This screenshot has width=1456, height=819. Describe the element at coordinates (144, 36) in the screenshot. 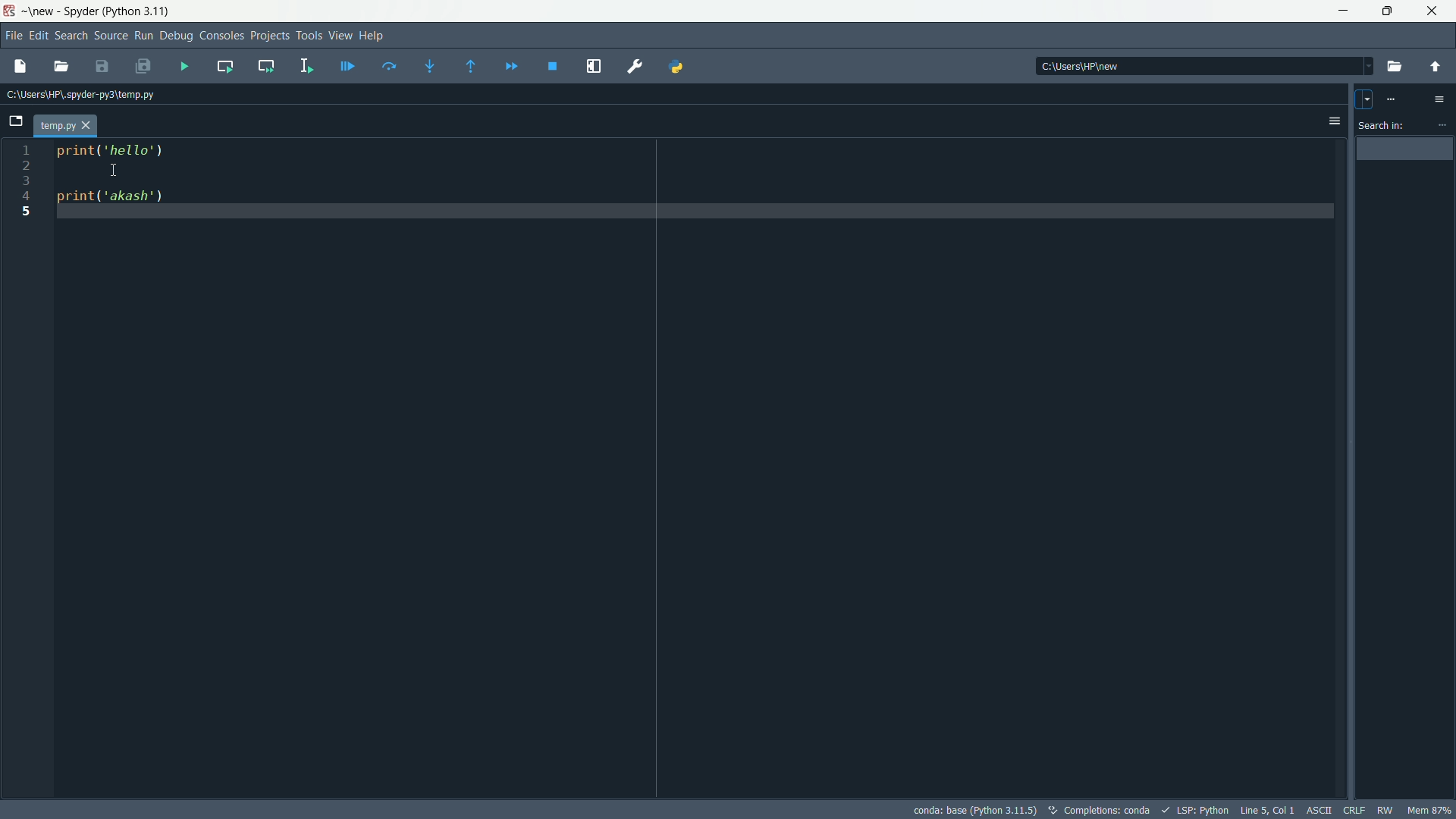

I see `run menu` at that location.